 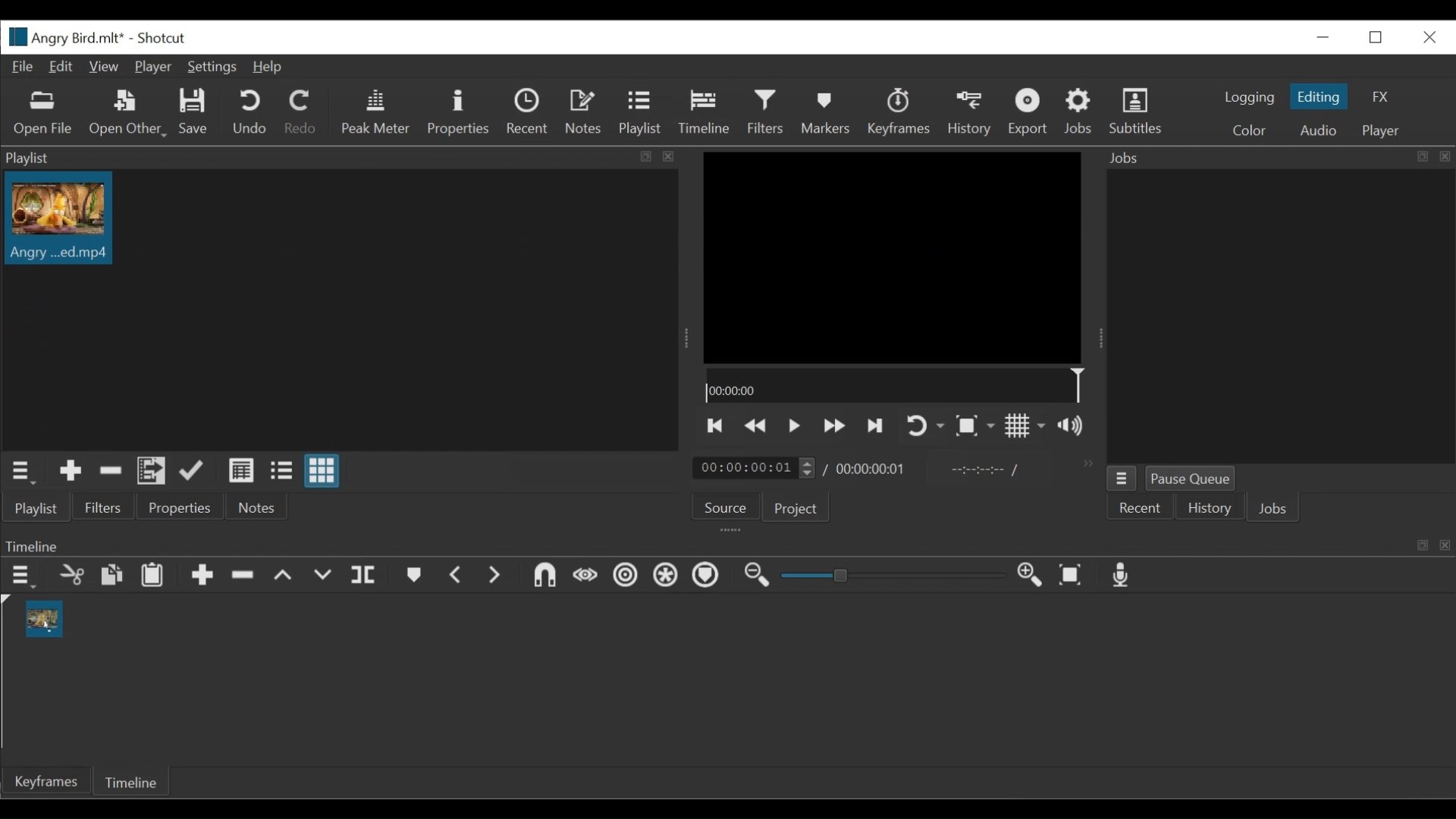 I want to click on Timeline, so click(x=129, y=781).